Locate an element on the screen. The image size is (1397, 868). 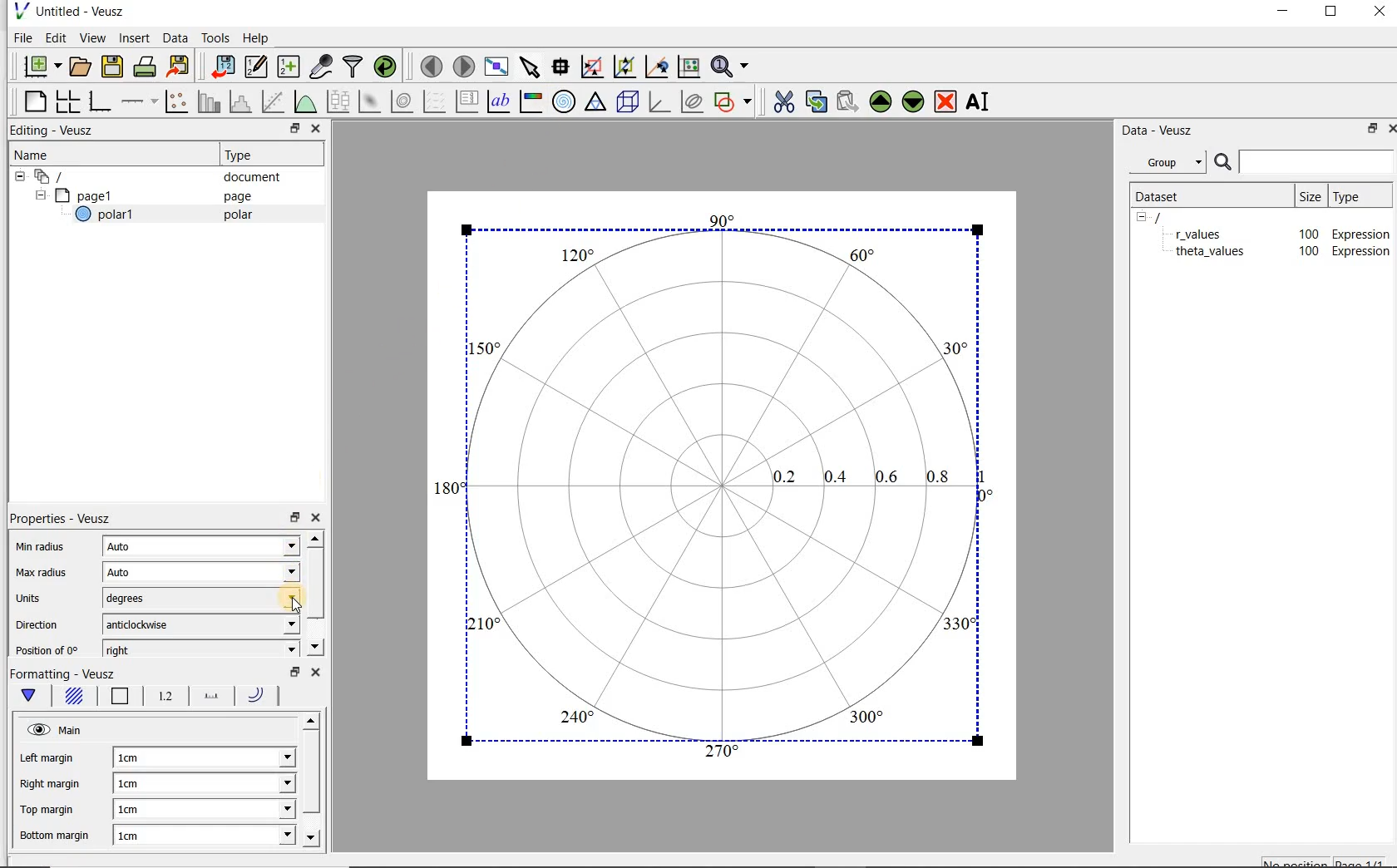
restore down is located at coordinates (290, 131).